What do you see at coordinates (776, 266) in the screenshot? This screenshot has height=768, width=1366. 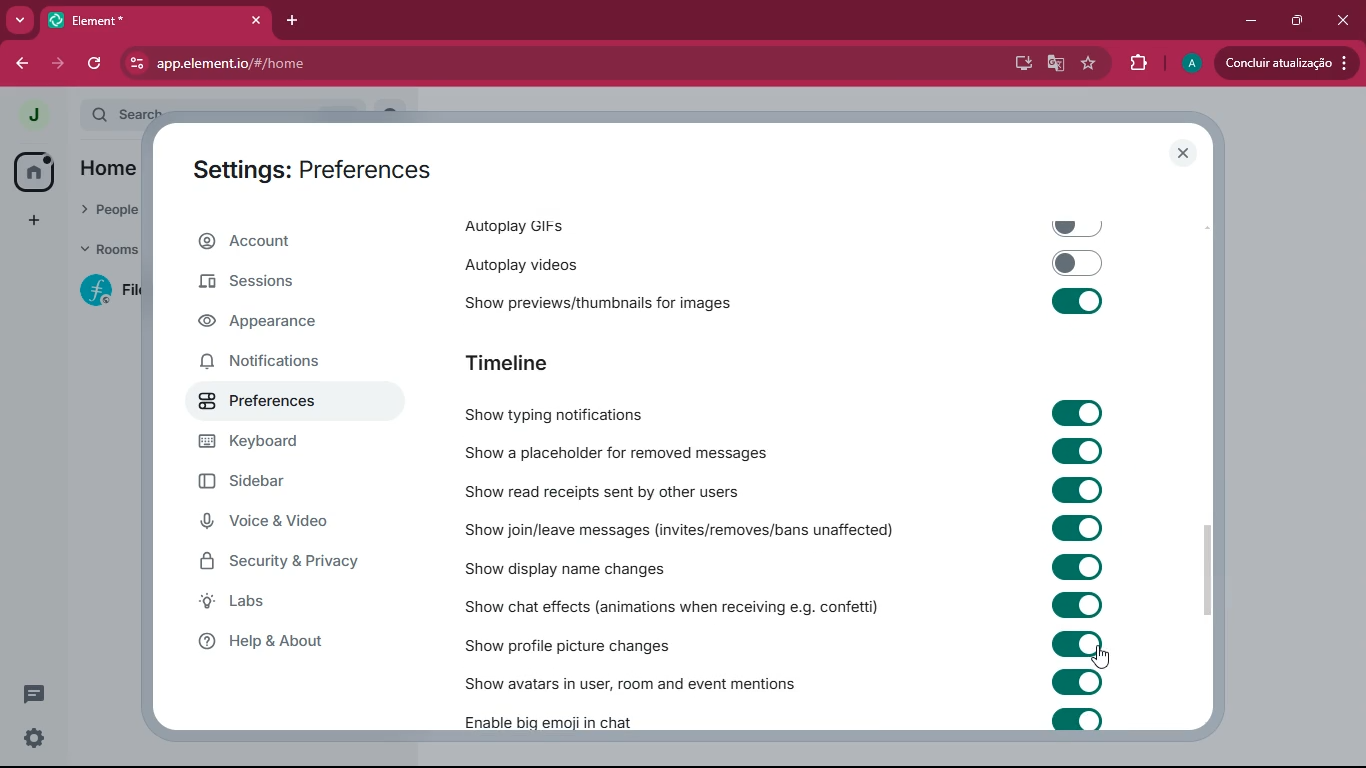 I see `autoplay videos` at bounding box center [776, 266].